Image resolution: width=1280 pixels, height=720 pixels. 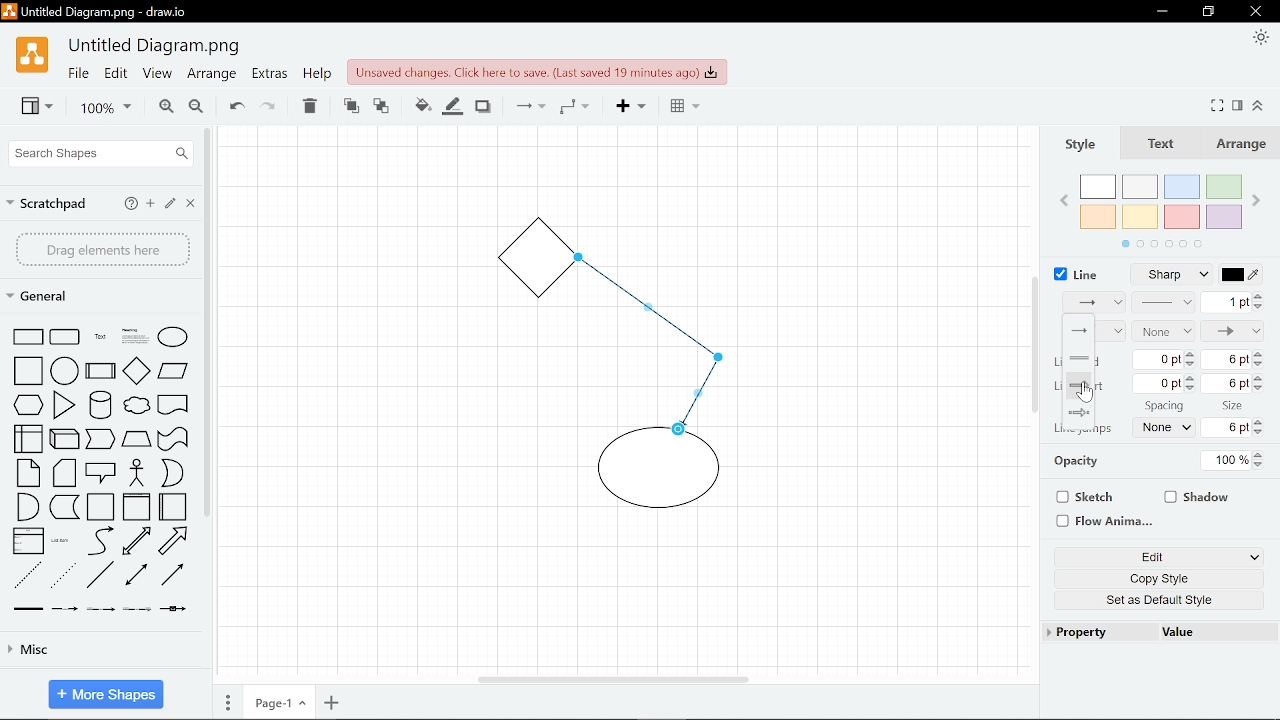 I want to click on Zoom in, so click(x=162, y=107).